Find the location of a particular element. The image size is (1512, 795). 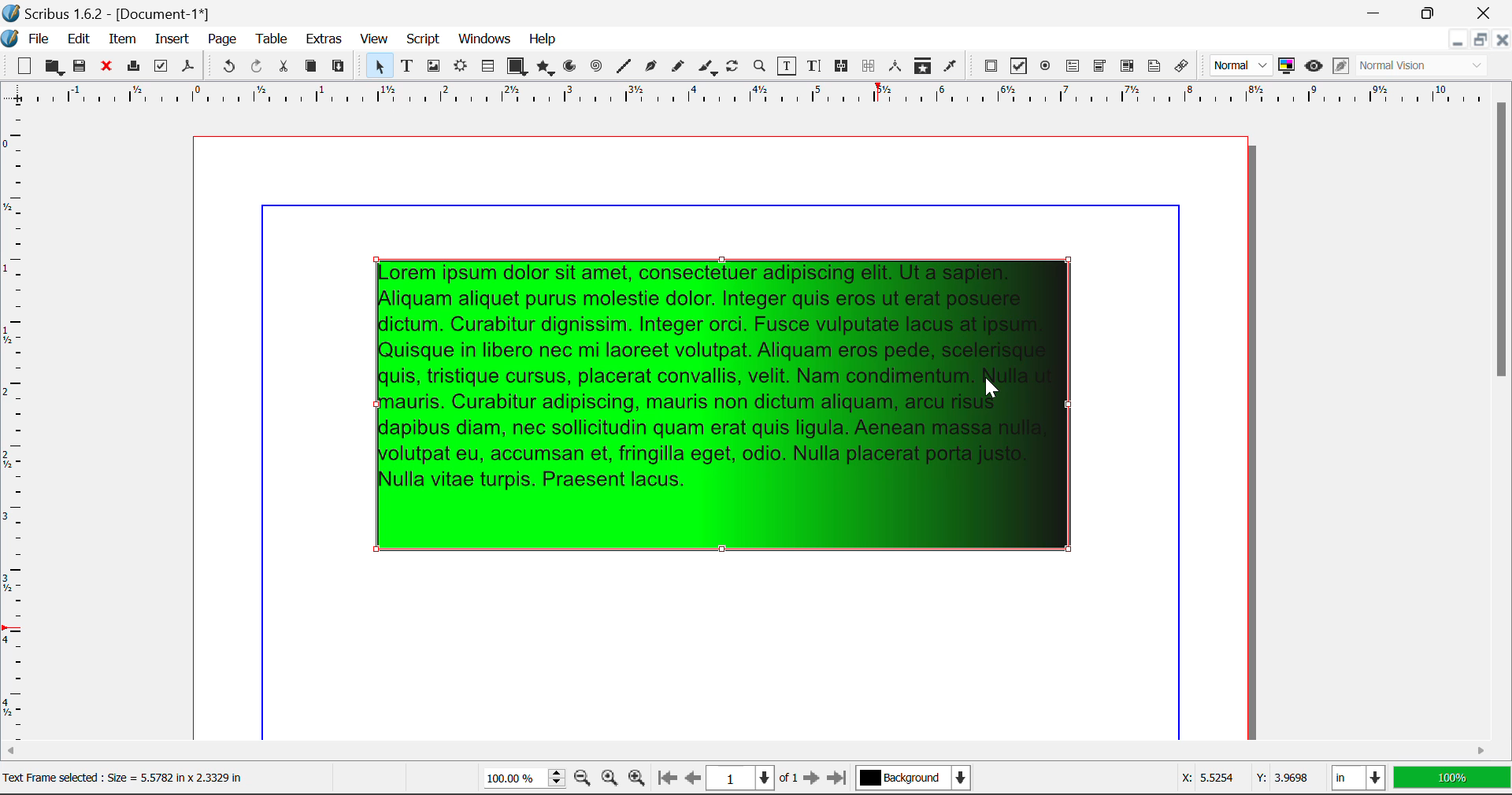

Gradient applied to text is located at coordinates (732, 409).